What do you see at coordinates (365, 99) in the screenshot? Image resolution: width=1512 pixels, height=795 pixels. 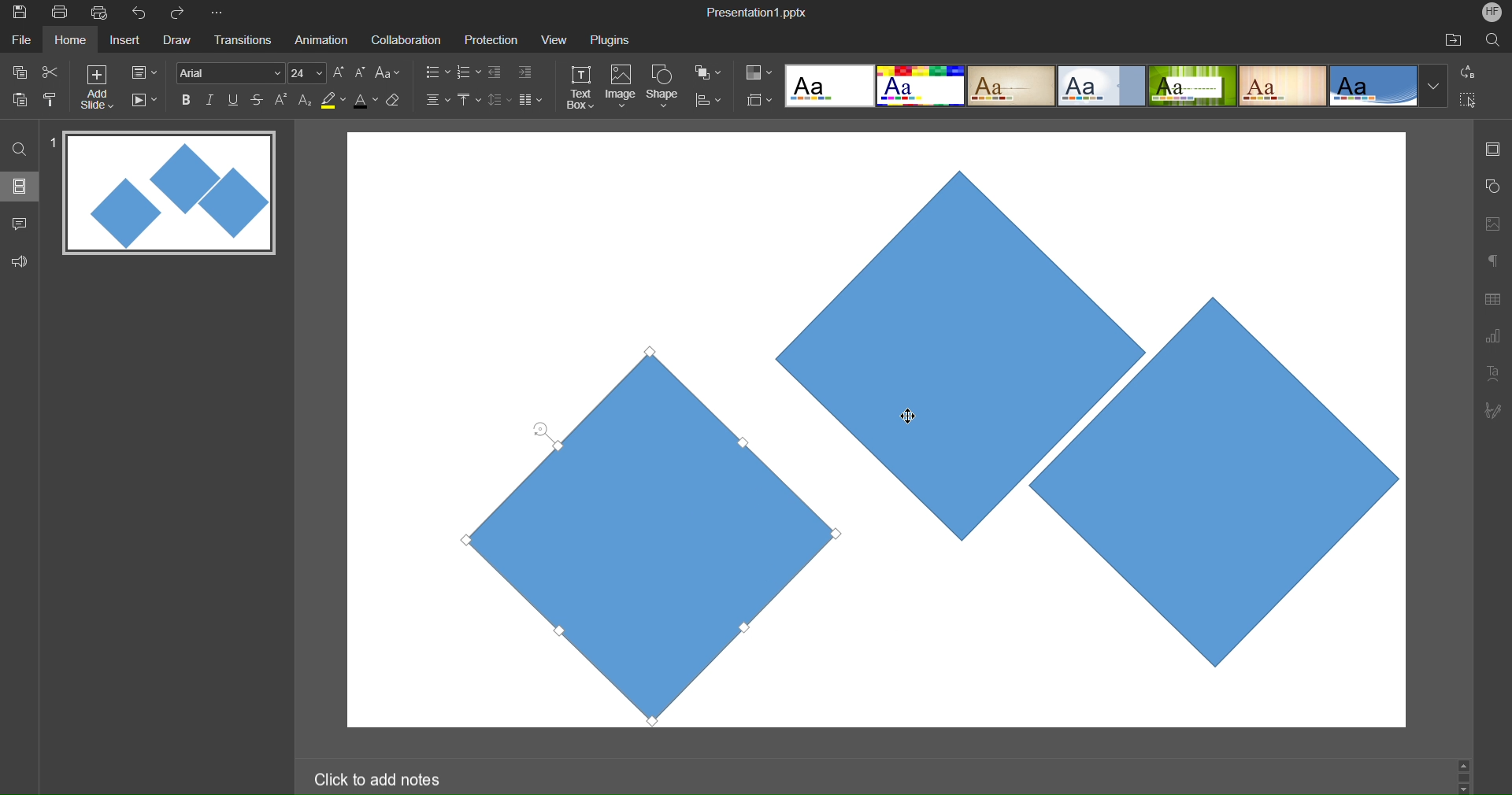 I see `Text Color` at bounding box center [365, 99].